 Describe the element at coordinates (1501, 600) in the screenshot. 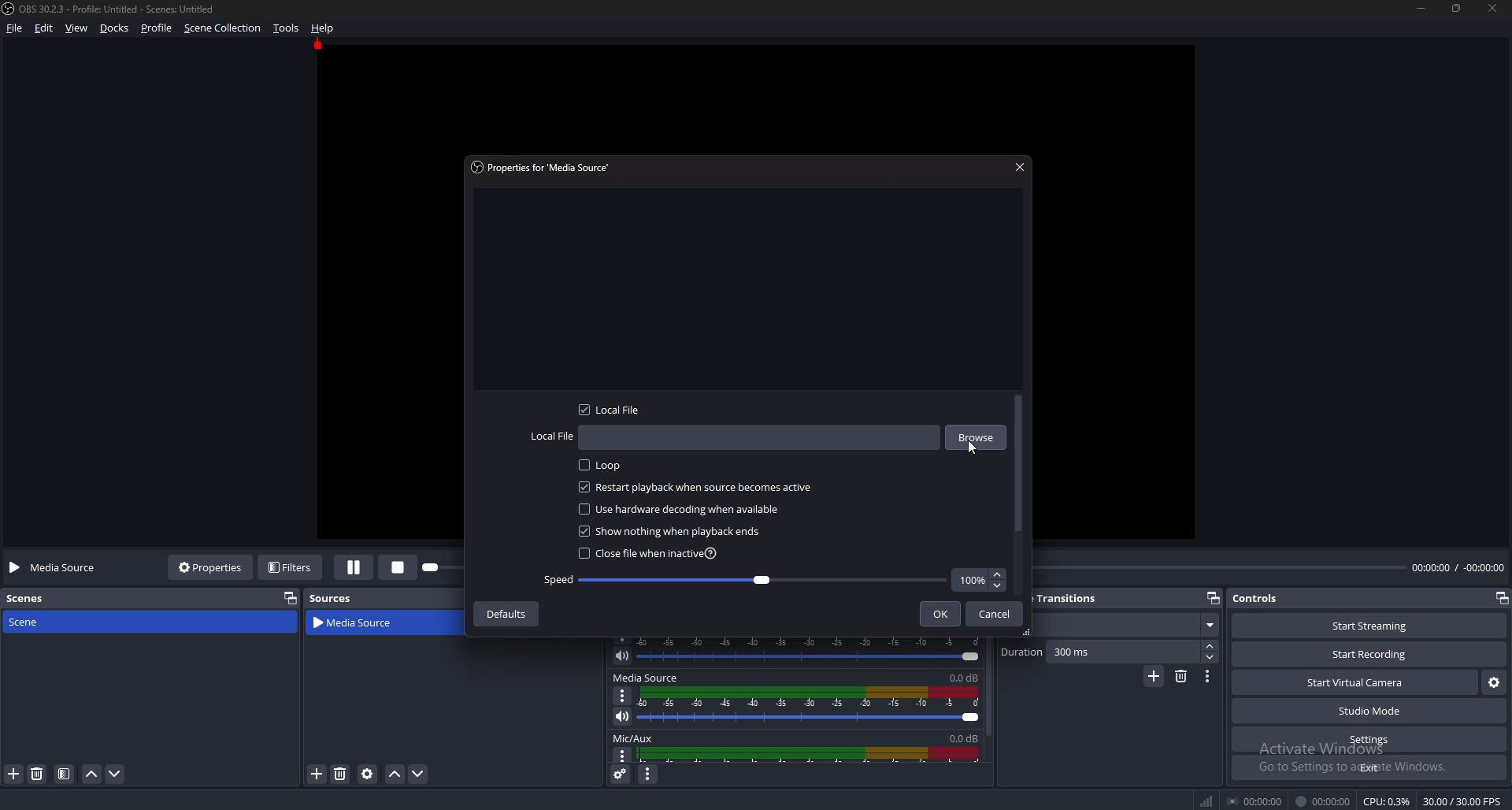

I see `pop out` at that location.